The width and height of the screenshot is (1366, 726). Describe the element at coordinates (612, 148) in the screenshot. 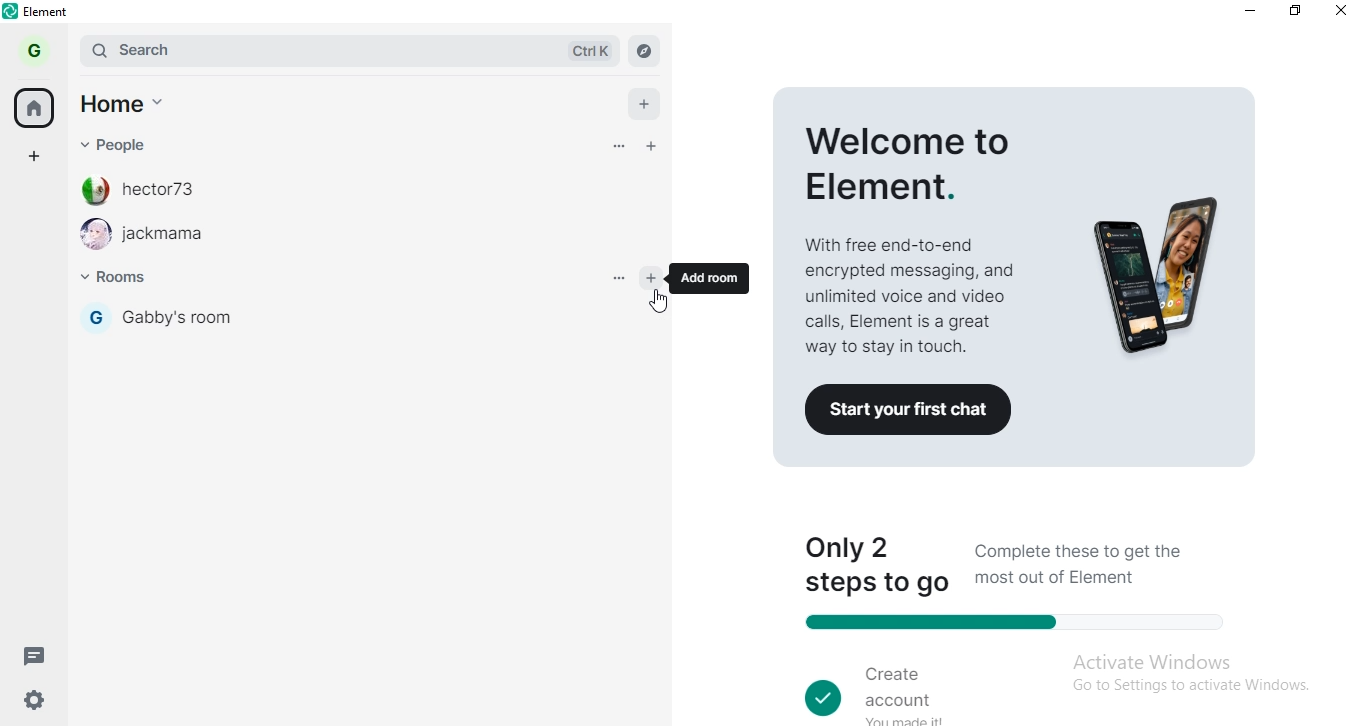

I see `options` at that location.